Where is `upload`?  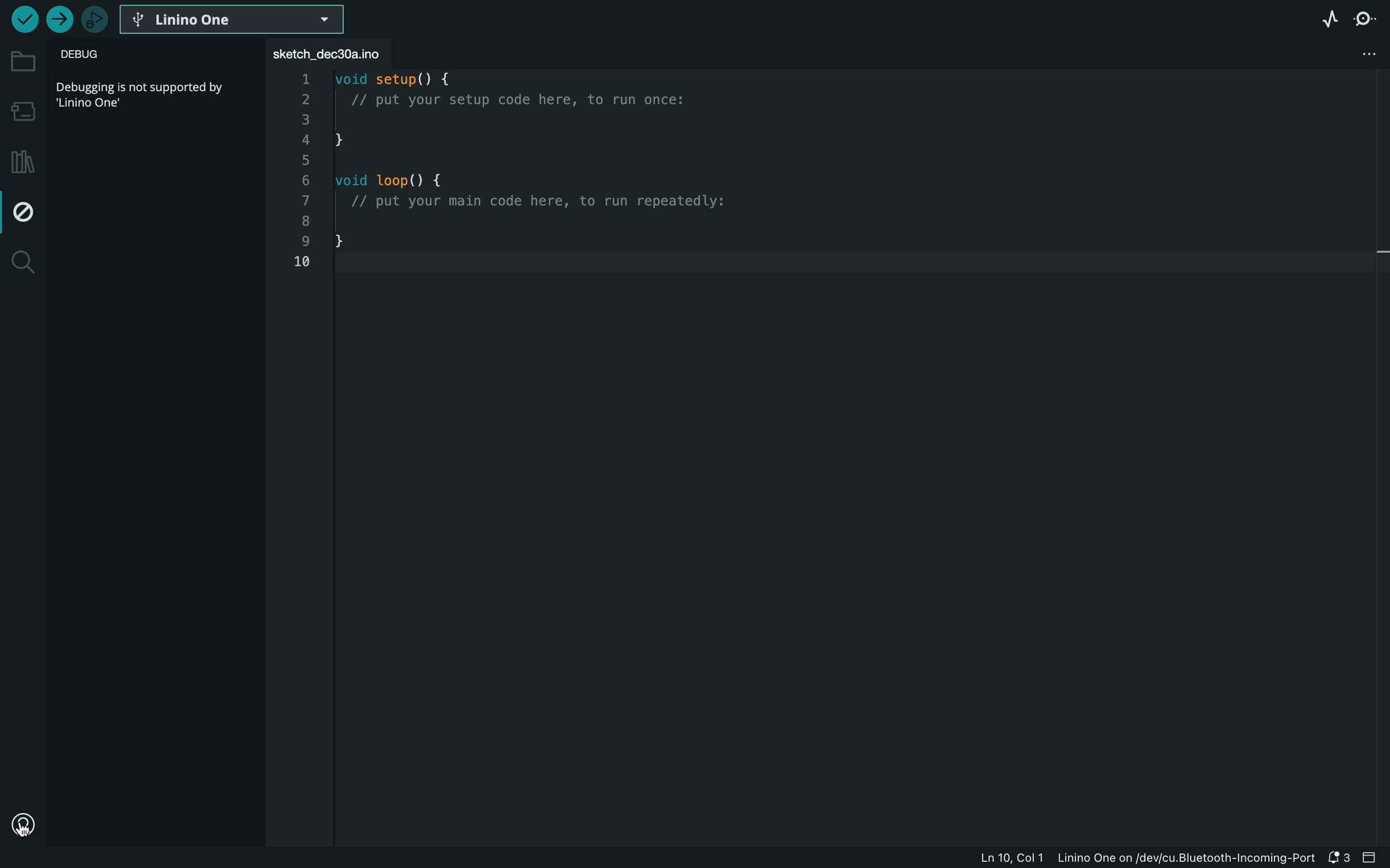 upload is located at coordinates (57, 20).